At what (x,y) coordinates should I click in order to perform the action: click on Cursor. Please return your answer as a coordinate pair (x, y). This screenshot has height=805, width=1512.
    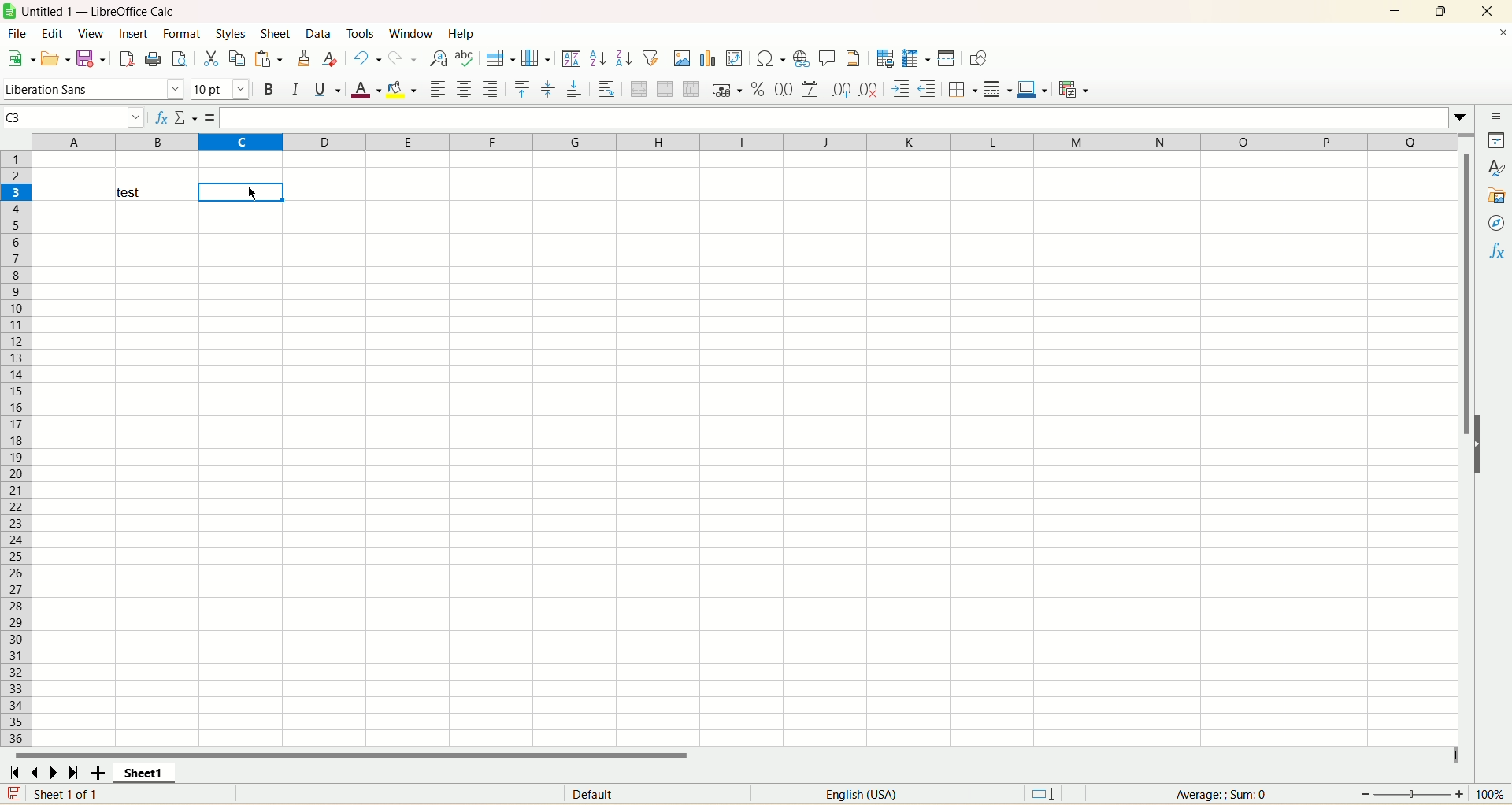
    Looking at the image, I should click on (252, 194).